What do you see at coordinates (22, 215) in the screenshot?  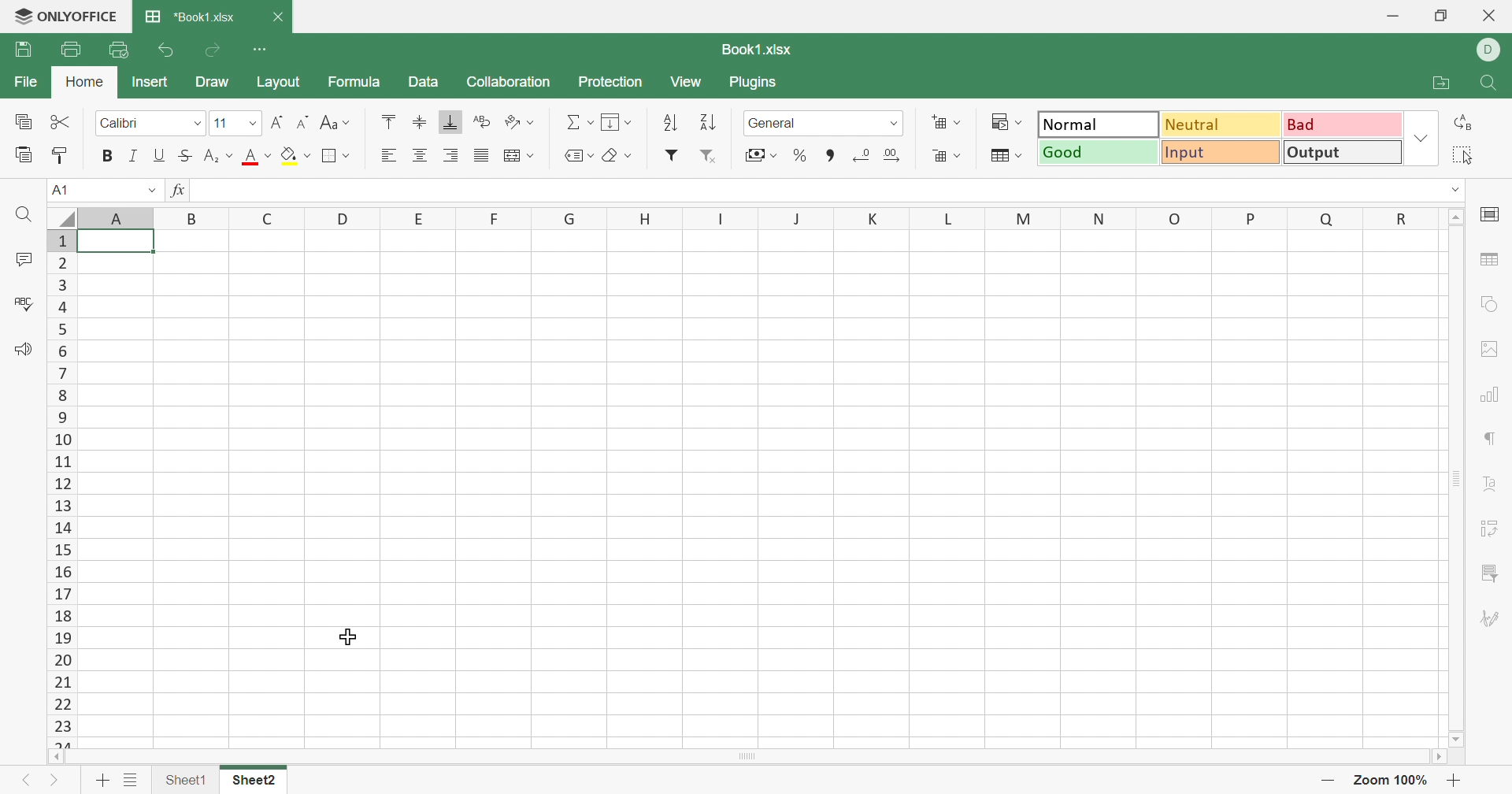 I see `Find` at bounding box center [22, 215].